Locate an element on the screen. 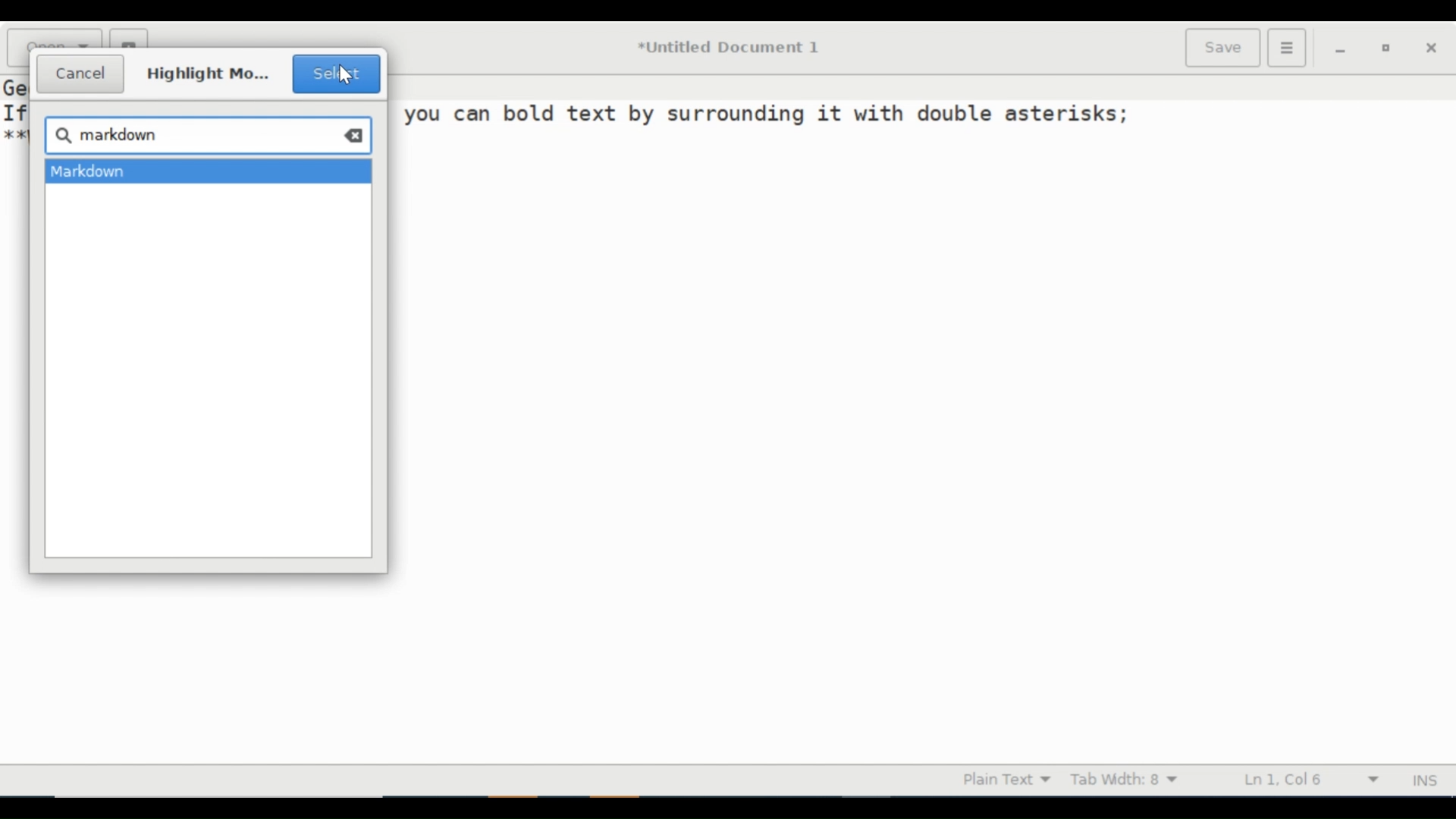 This screenshot has width=1456, height=819. search icon is located at coordinates (61, 134).